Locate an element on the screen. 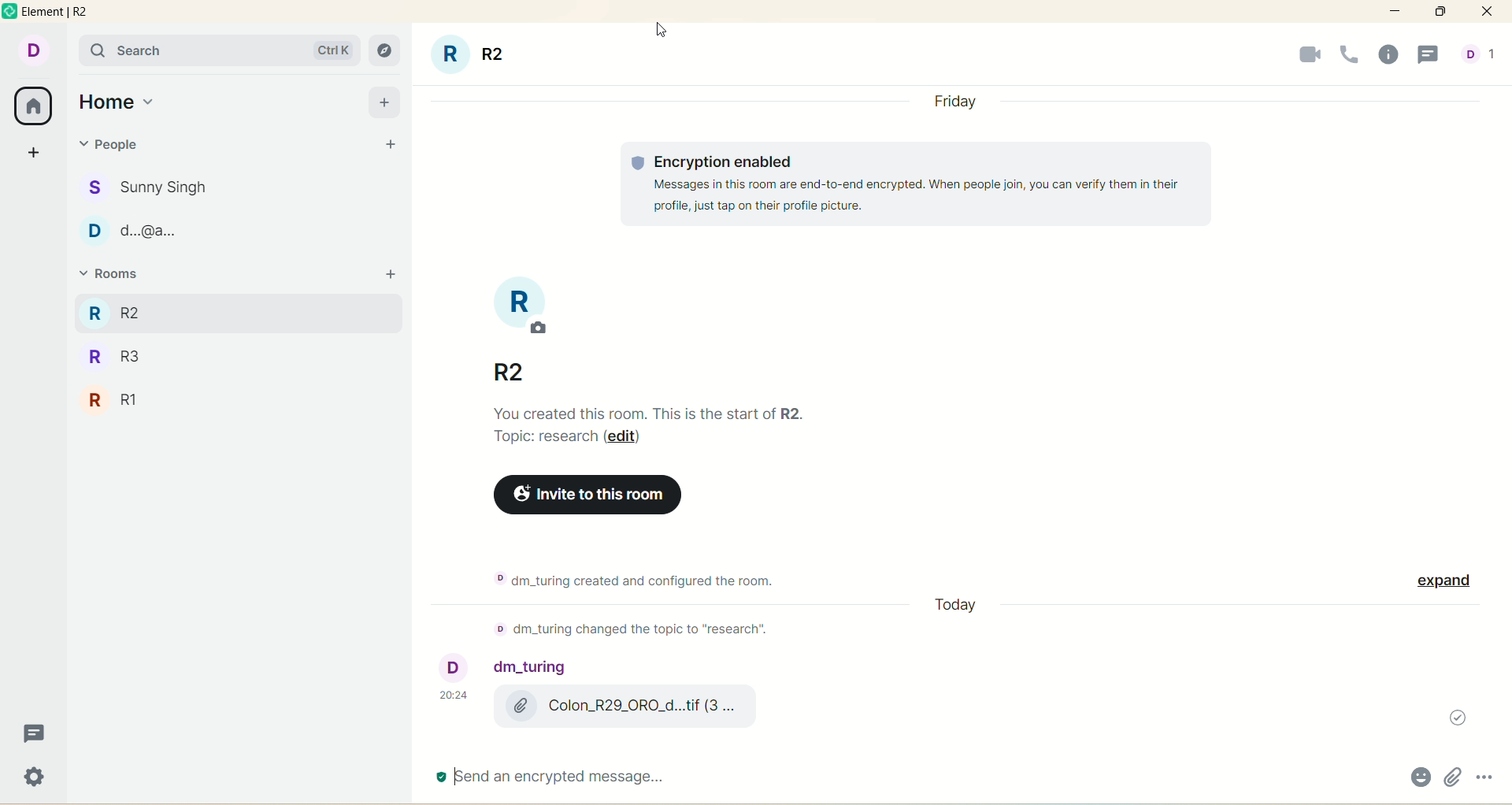 The width and height of the screenshot is (1512, 805). minimize is located at coordinates (1396, 9).